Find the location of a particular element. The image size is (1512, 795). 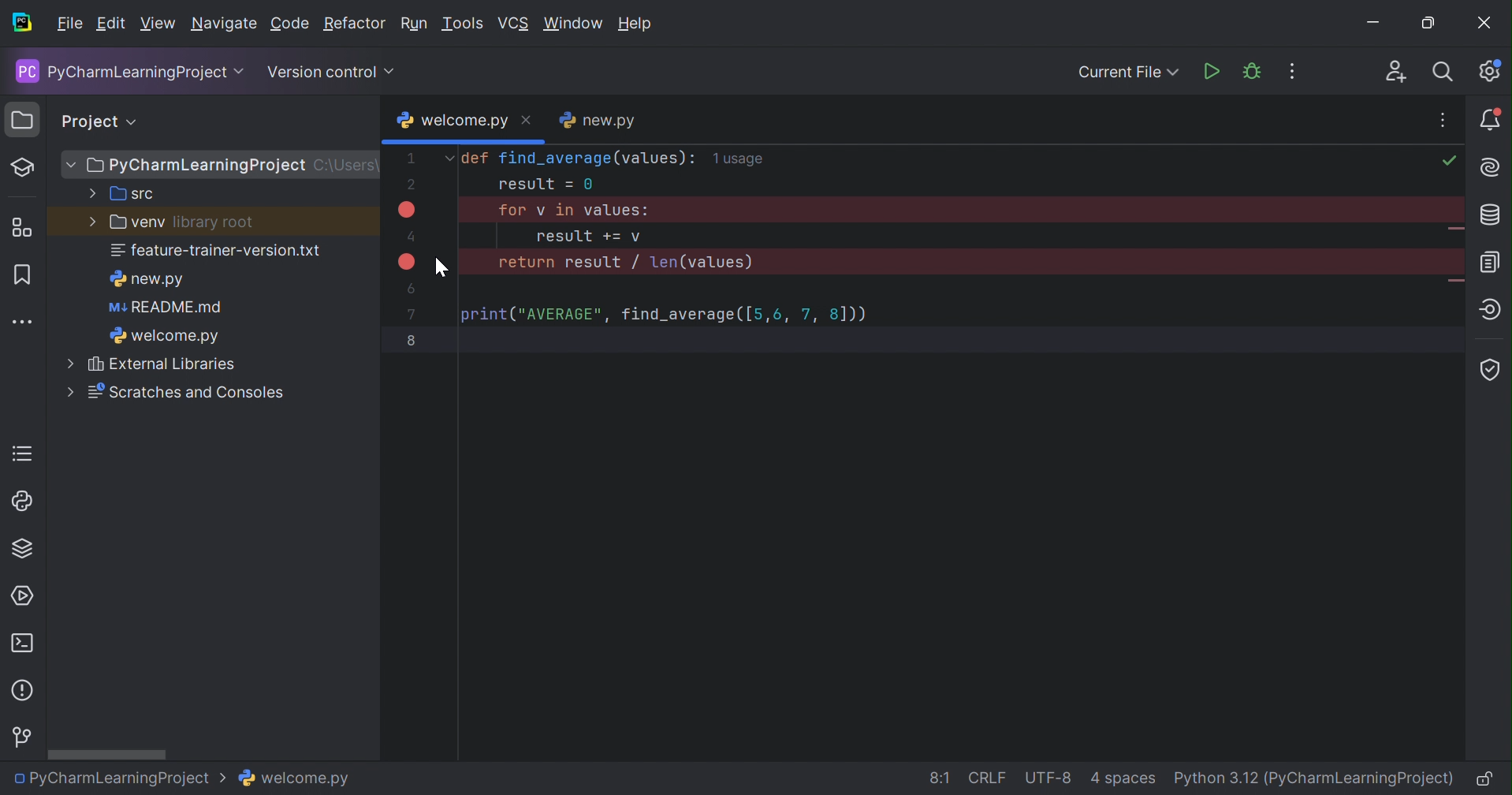

venv is located at coordinates (124, 223).